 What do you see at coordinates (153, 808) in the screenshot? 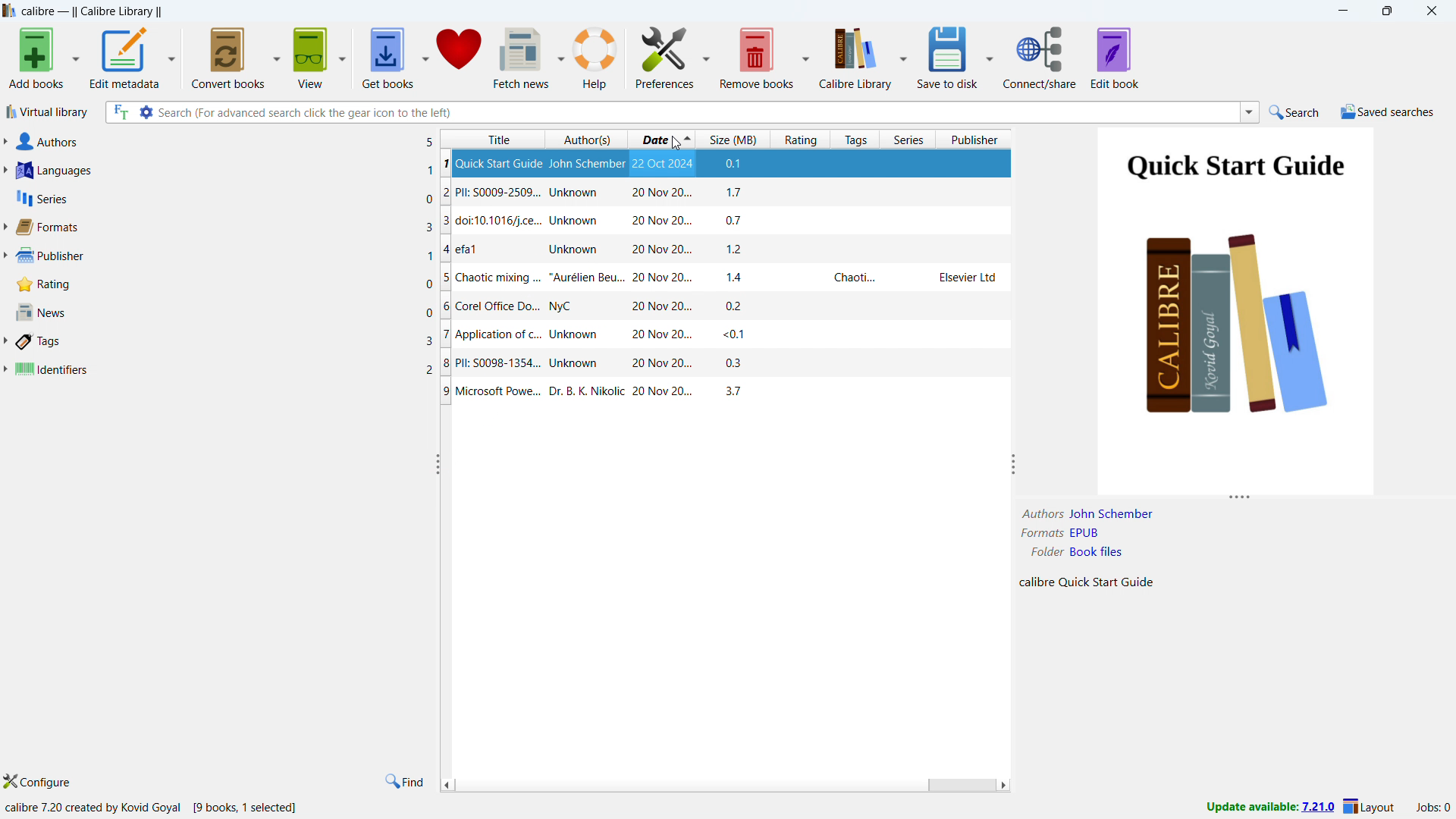
I see `calibre 7.20 created by Kovid Goyal [9 books, 1 selected]` at bounding box center [153, 808].